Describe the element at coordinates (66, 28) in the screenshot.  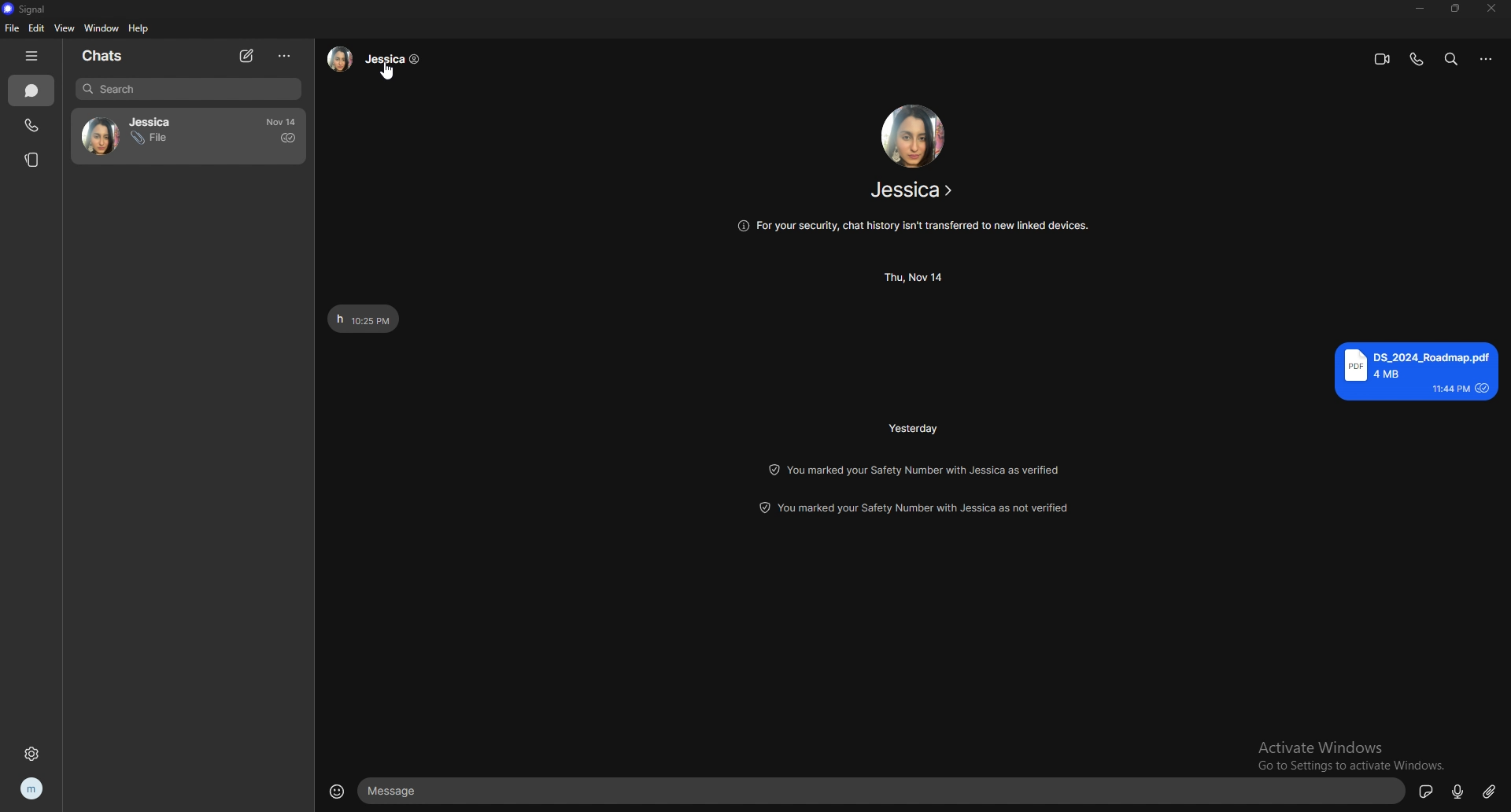
I see `view` at that location.